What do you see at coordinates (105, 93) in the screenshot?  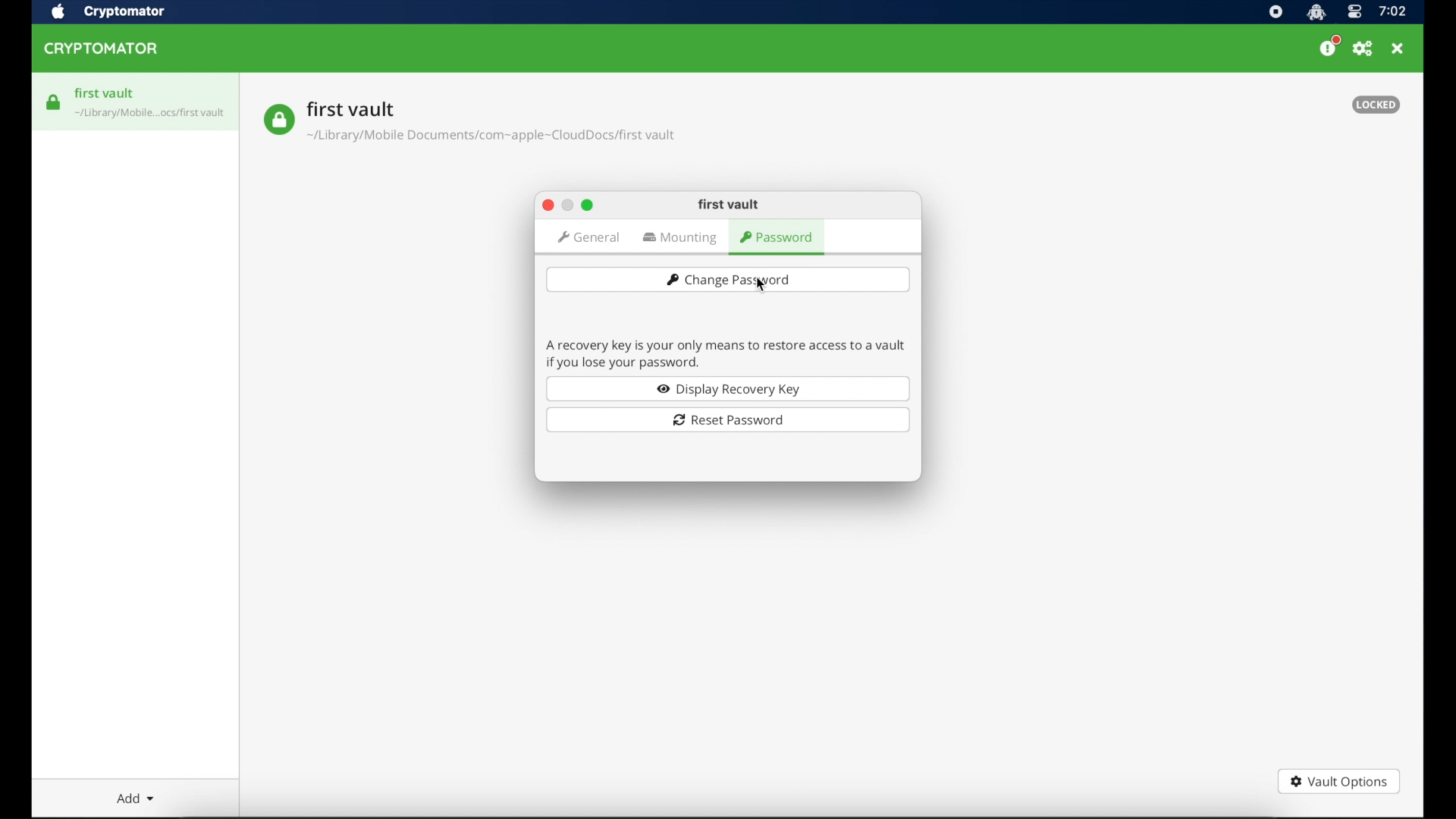 I see `first vault` at bounding box center [105, 93].